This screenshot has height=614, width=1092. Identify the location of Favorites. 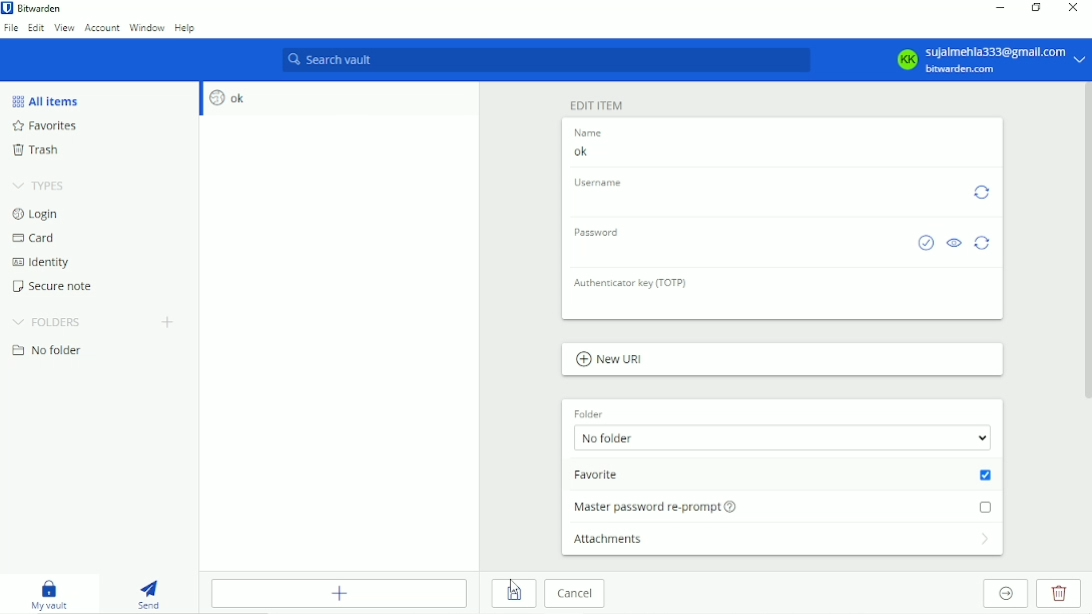
(56, 126).